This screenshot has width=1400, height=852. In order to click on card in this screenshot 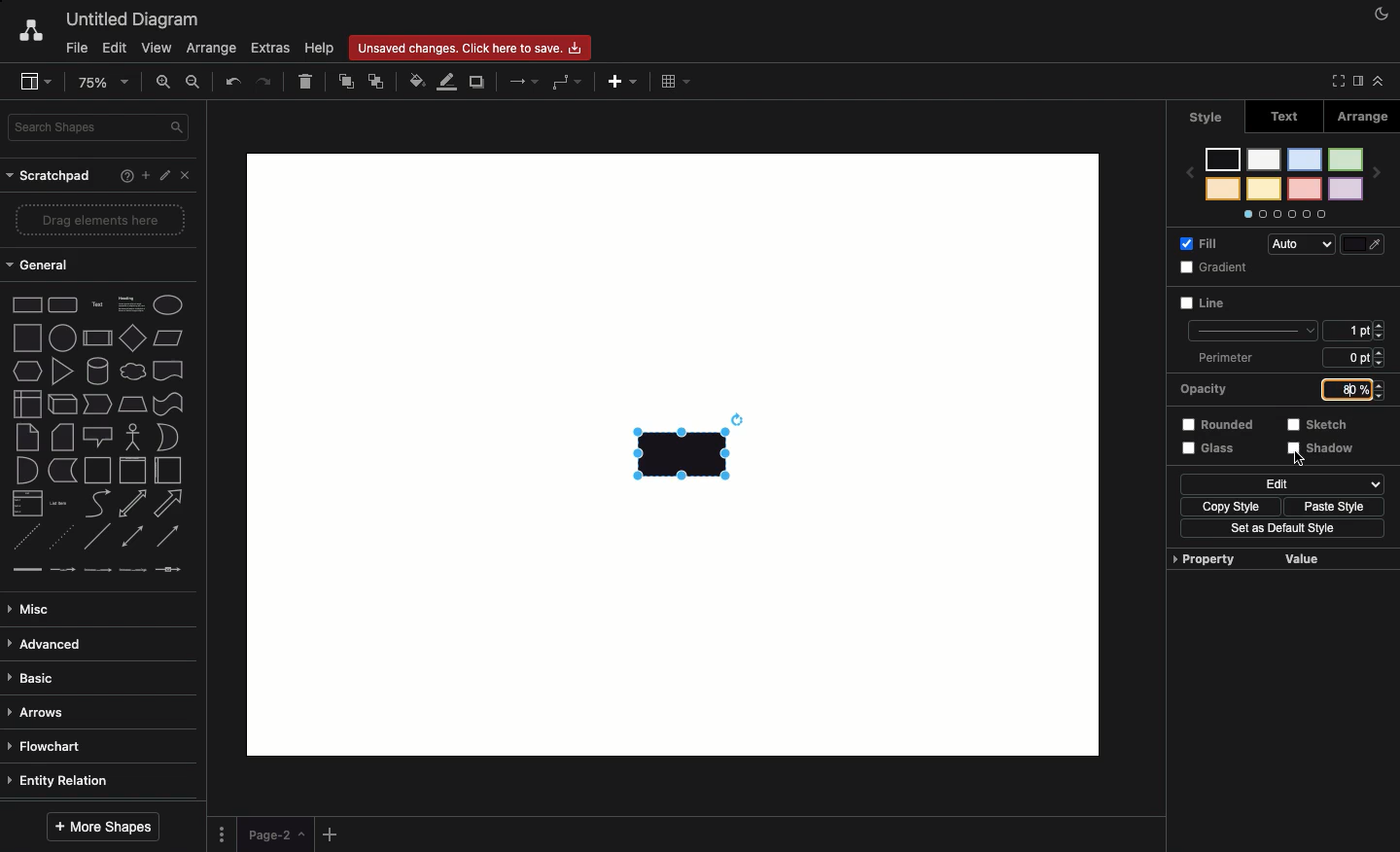, I will do `click(60, 436)`.